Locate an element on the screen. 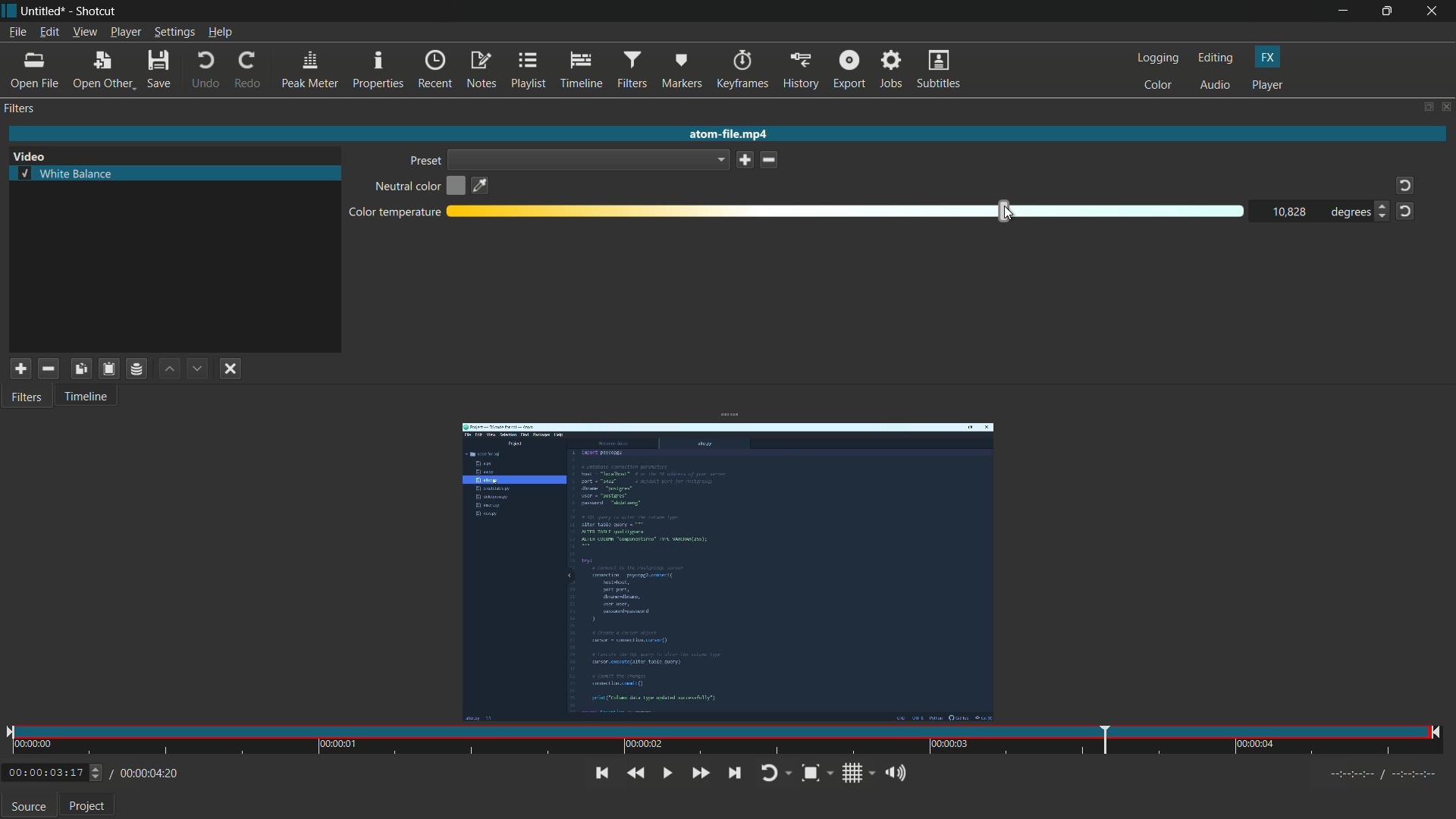 This screenshot has height=819, width=1456. file menu is located at coordinates (17, 31).